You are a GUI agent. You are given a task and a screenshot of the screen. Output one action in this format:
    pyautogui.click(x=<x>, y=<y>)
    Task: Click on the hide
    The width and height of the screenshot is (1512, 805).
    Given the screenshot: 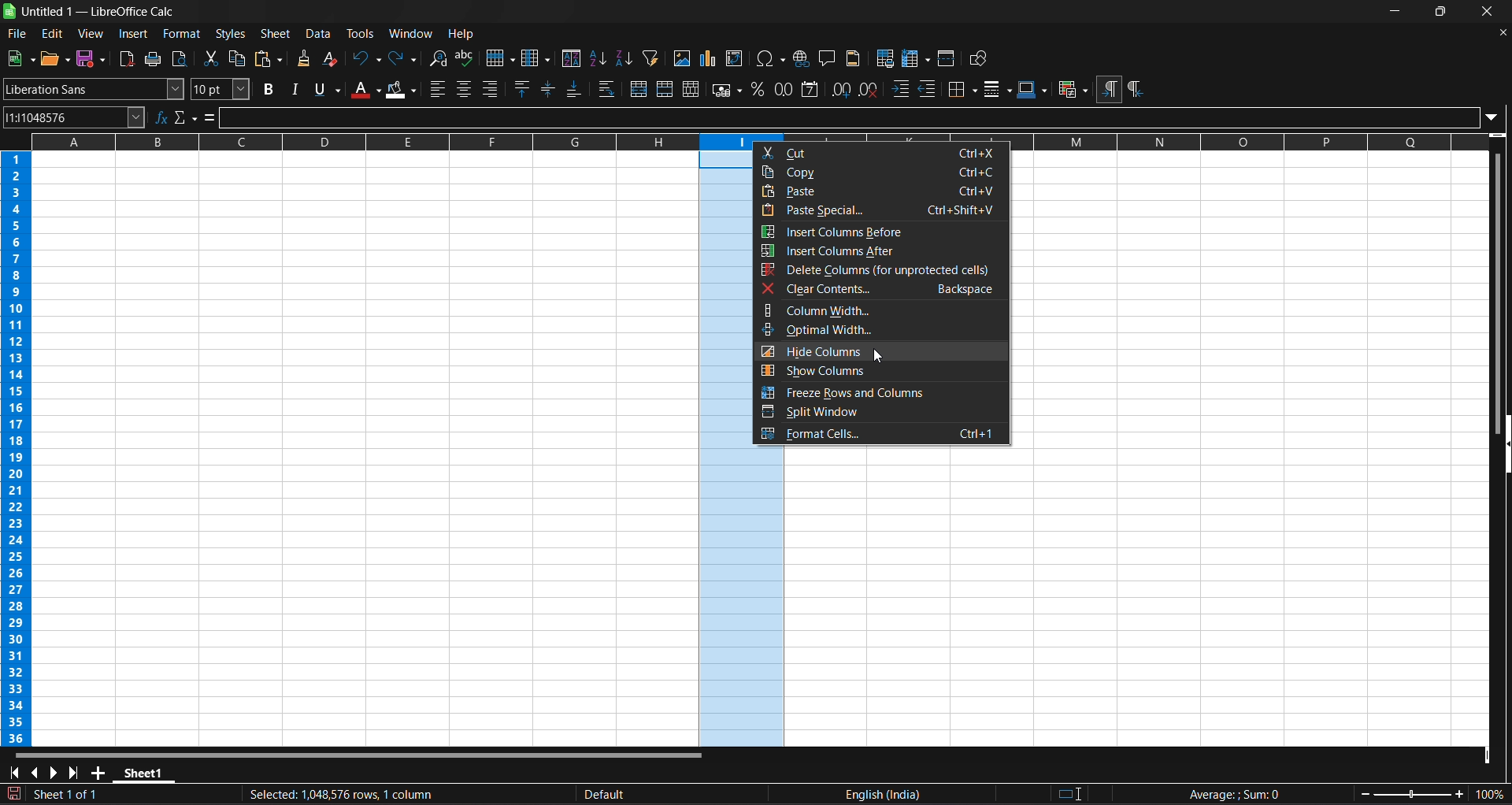 What is the action you would take?
    pyautogui.click(x=1503, y=442)
    